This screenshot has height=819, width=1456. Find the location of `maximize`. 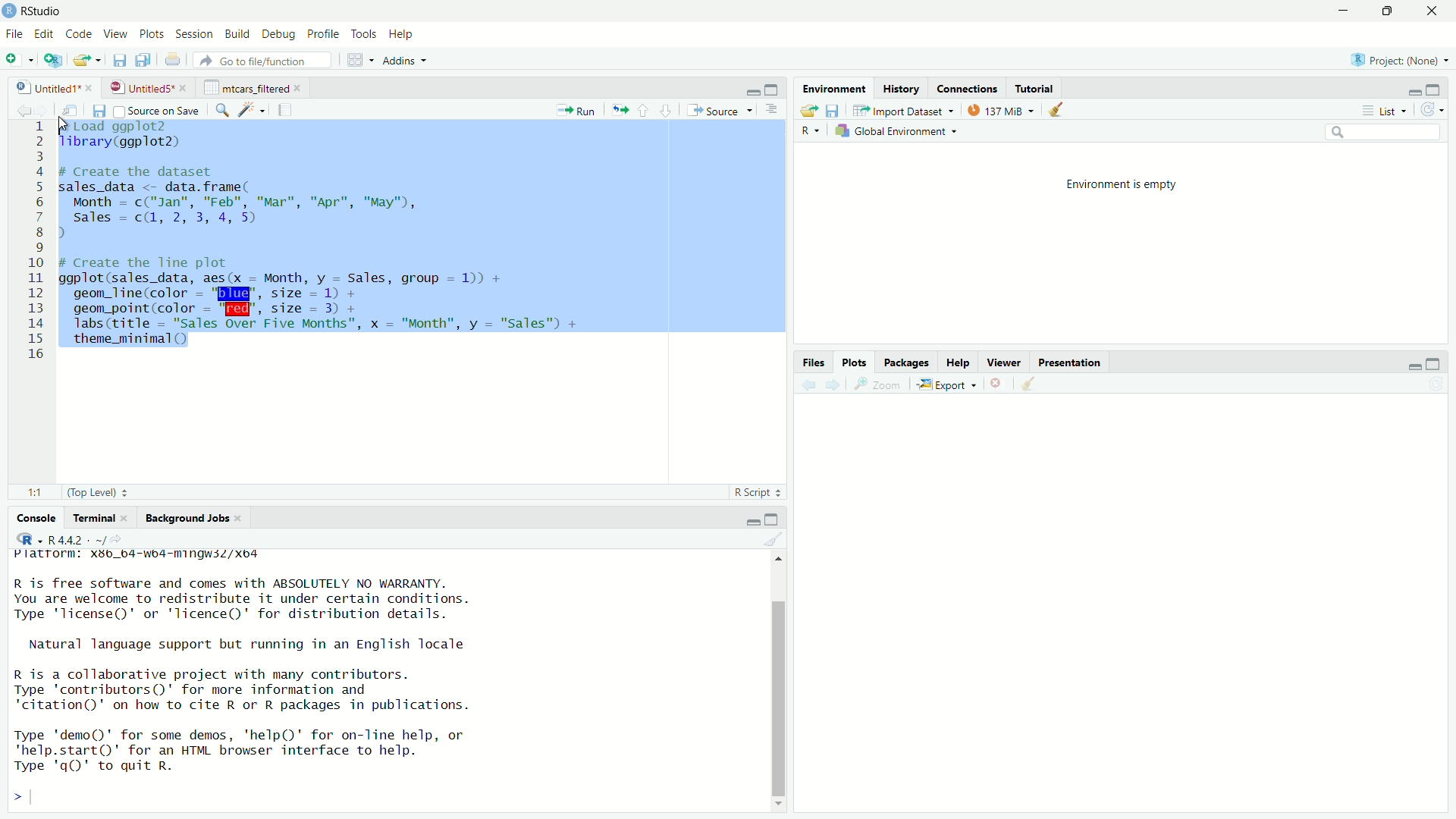

maximize is located at coordinates (774, 89).